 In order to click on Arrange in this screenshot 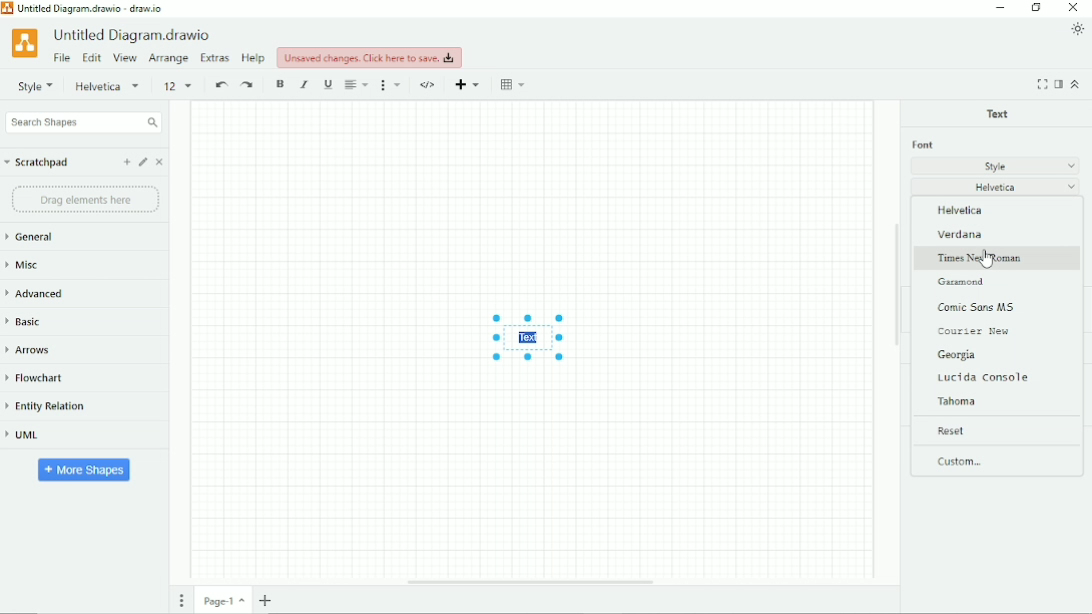, I will do `click(169, 59)`.